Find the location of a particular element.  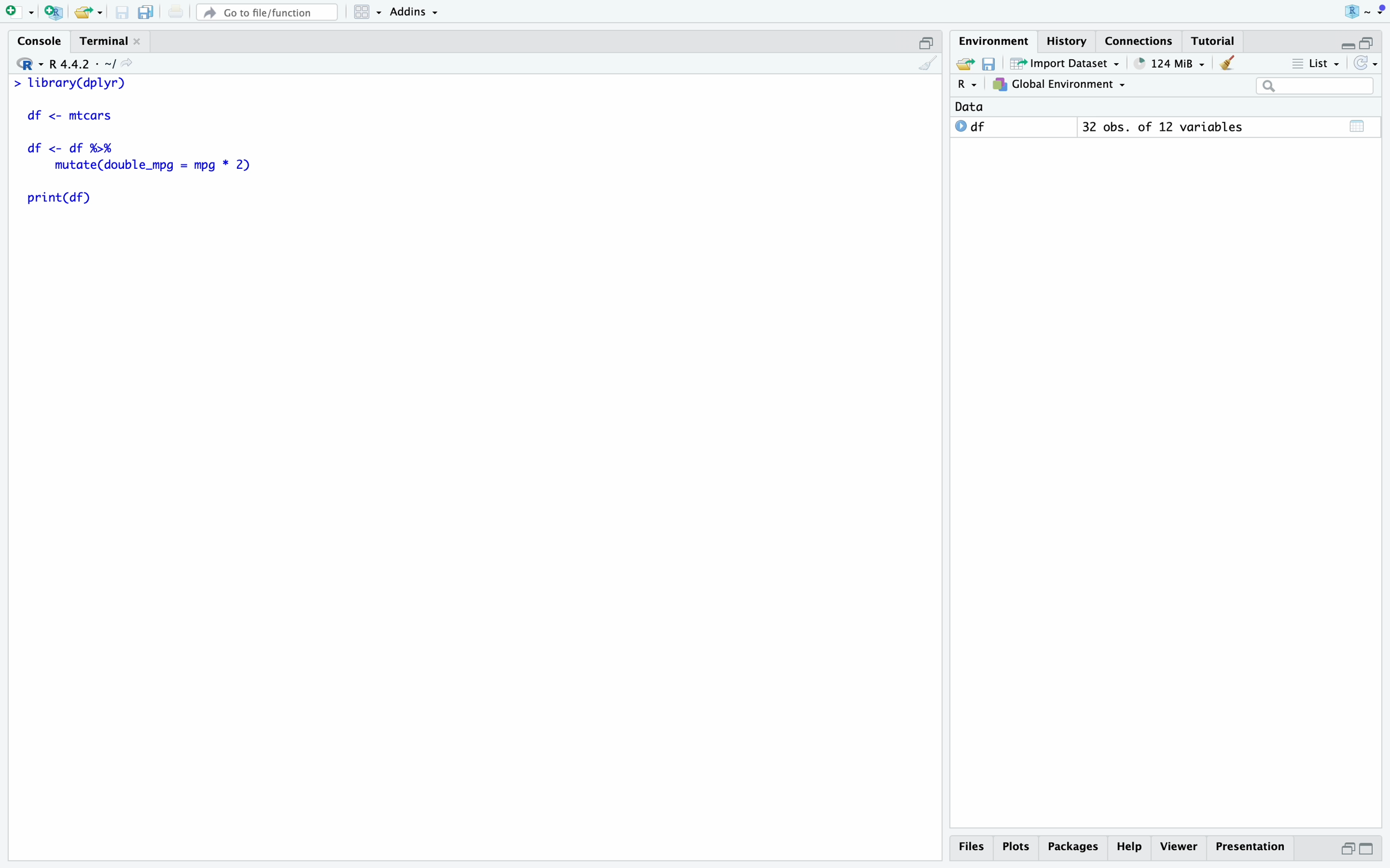

open in separate window is located at coordinates (927, 43).